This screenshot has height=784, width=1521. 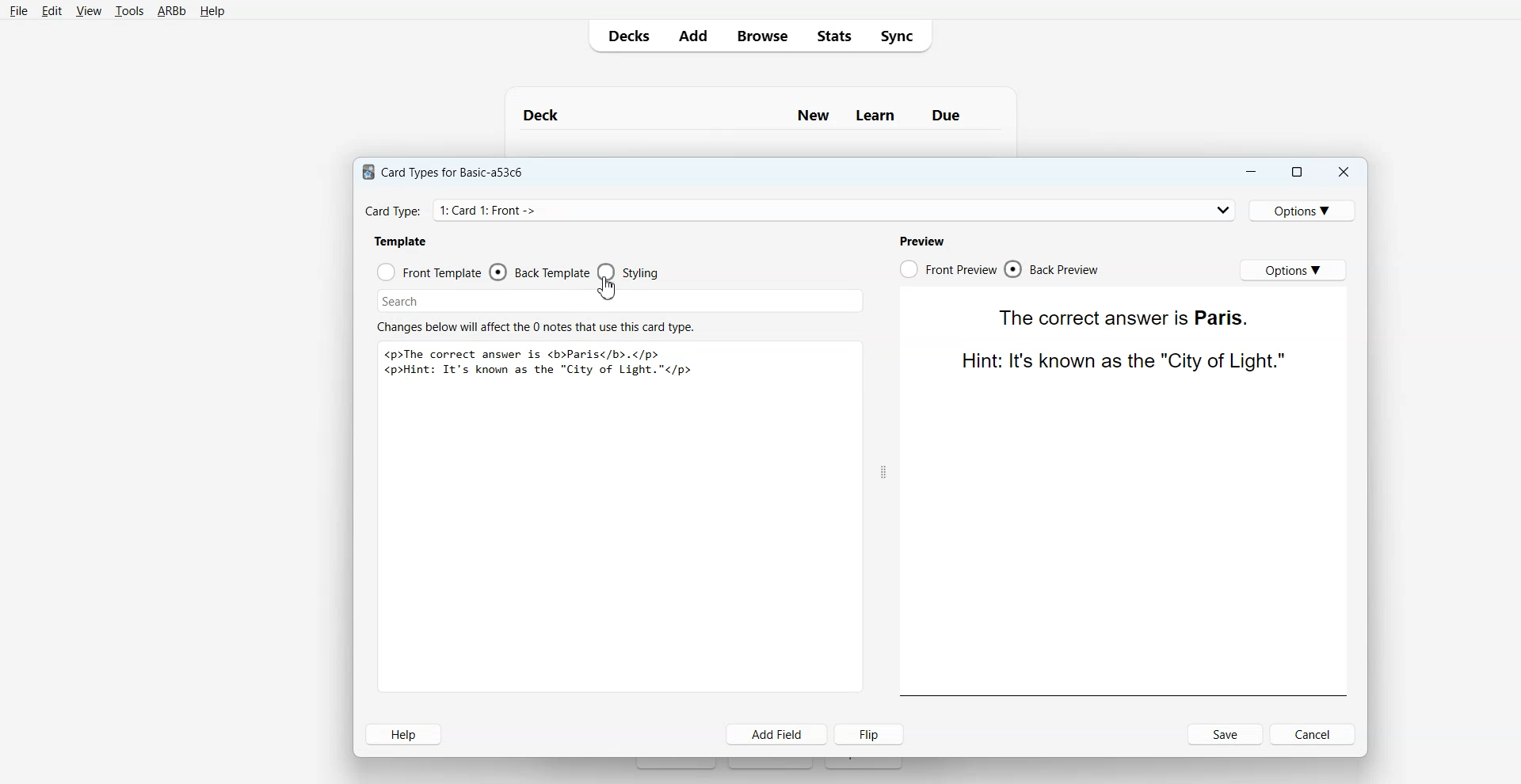 What do you see at coordinates (620, 301) in the screenshot?
I see `Search Bar` at bounding box center [620, 301].